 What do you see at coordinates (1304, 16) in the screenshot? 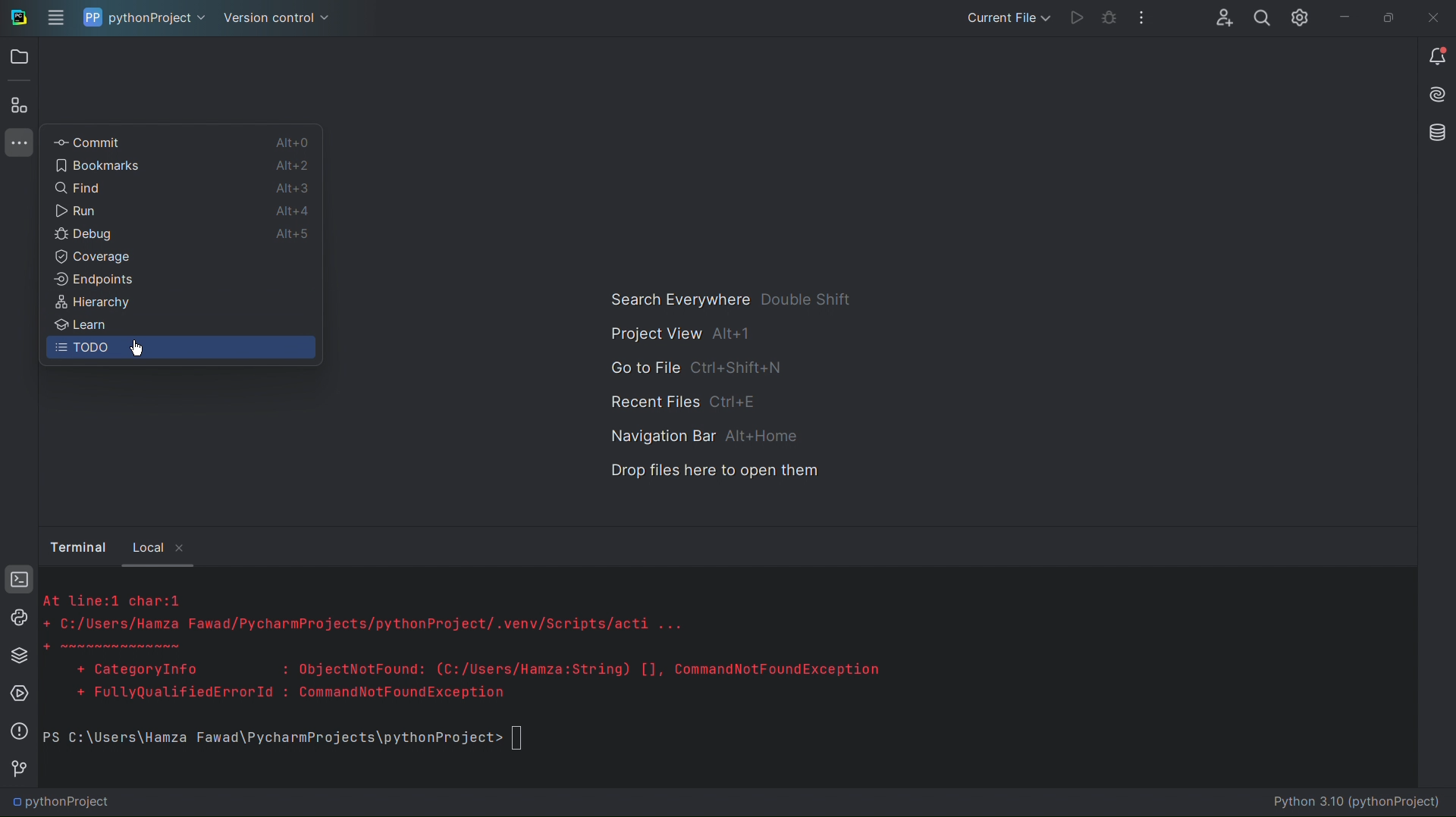
I see `Settings` at bounding box center [1304, 16].